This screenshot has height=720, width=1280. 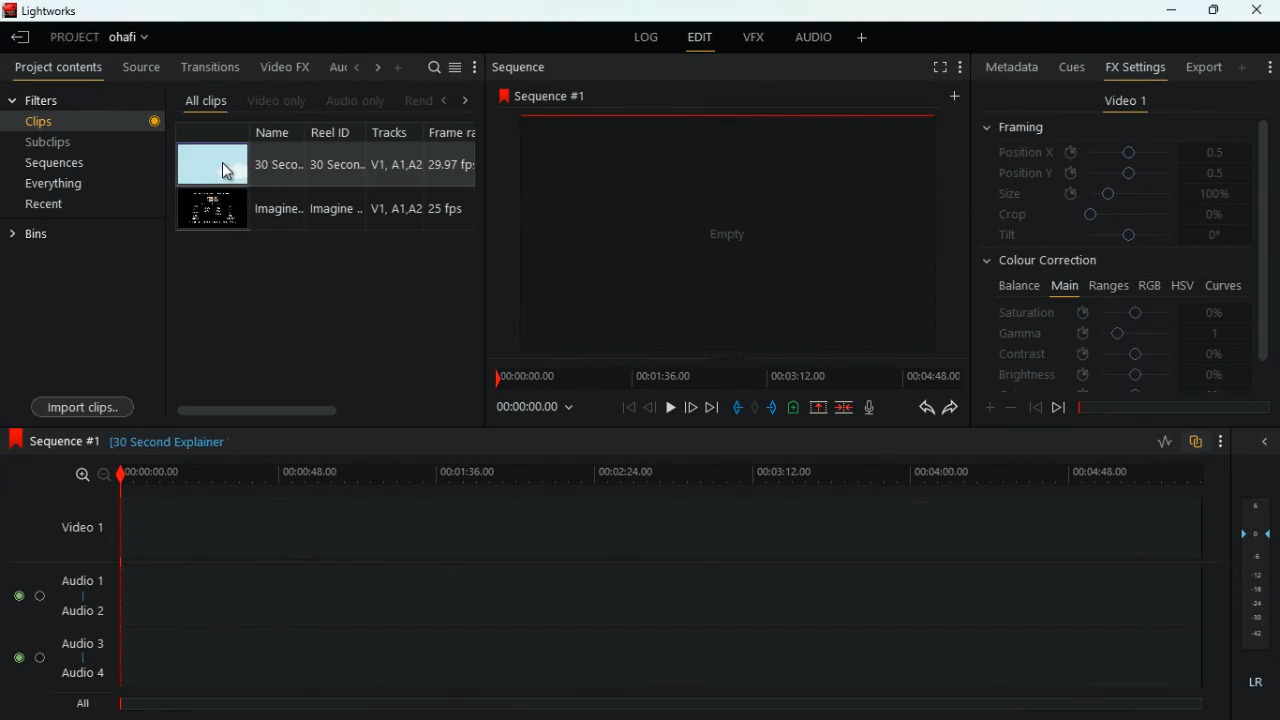 I want to click on time, so click(x=538, y=408).